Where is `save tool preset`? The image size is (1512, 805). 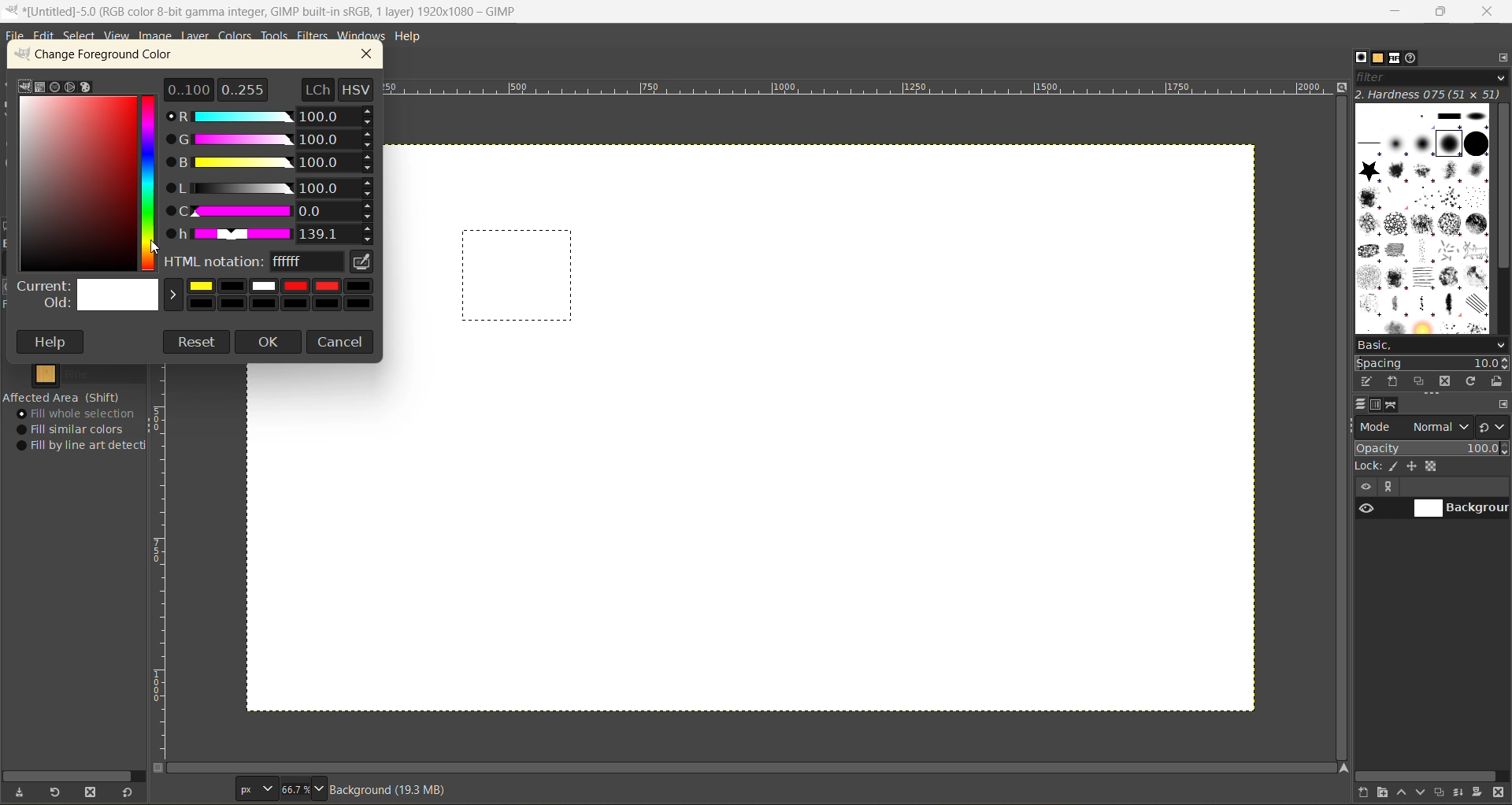 save tool preset is located at coordinates (23, 791).